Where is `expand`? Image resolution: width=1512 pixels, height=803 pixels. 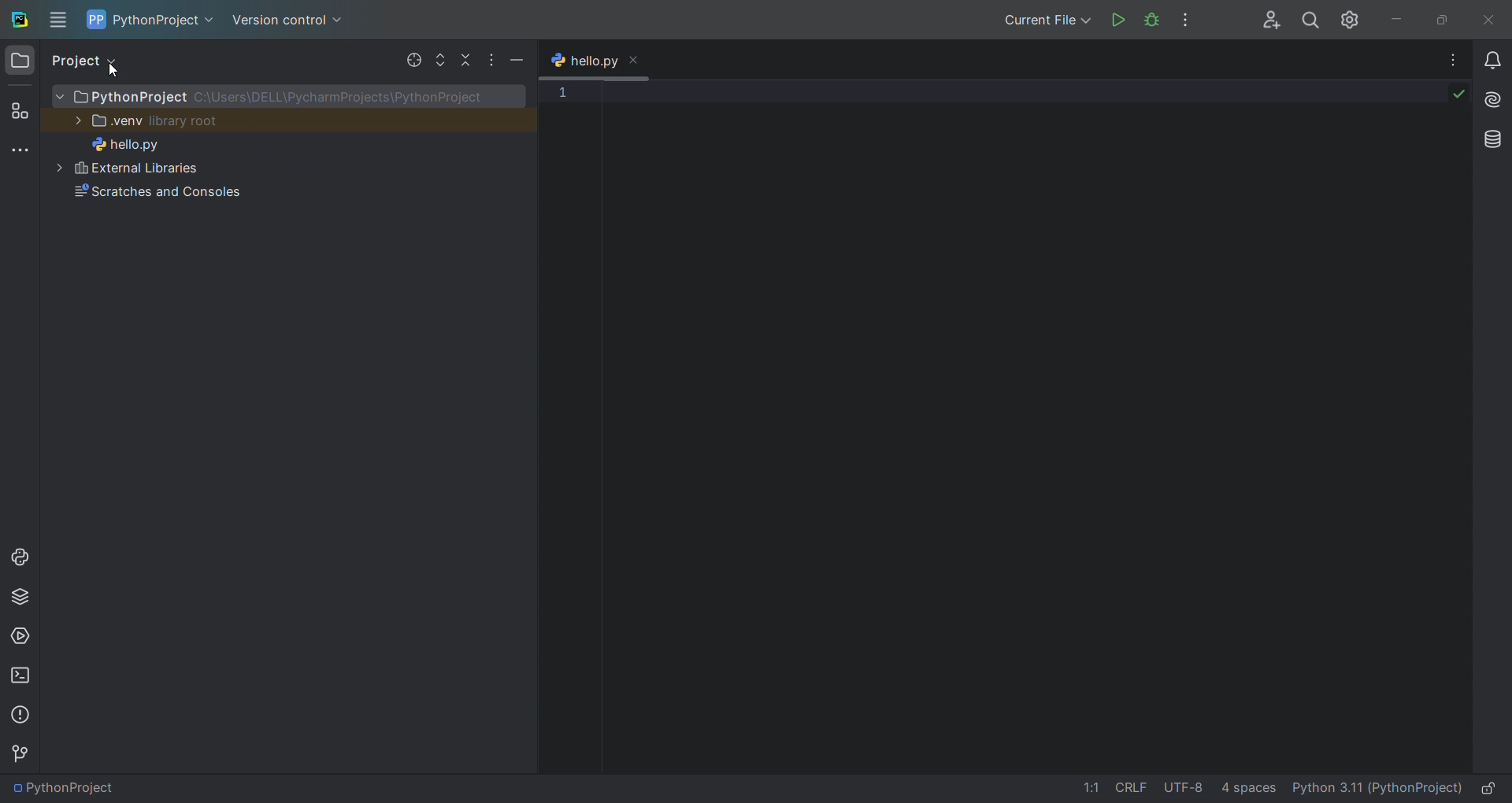
expand is located at coordinates (439, 61).